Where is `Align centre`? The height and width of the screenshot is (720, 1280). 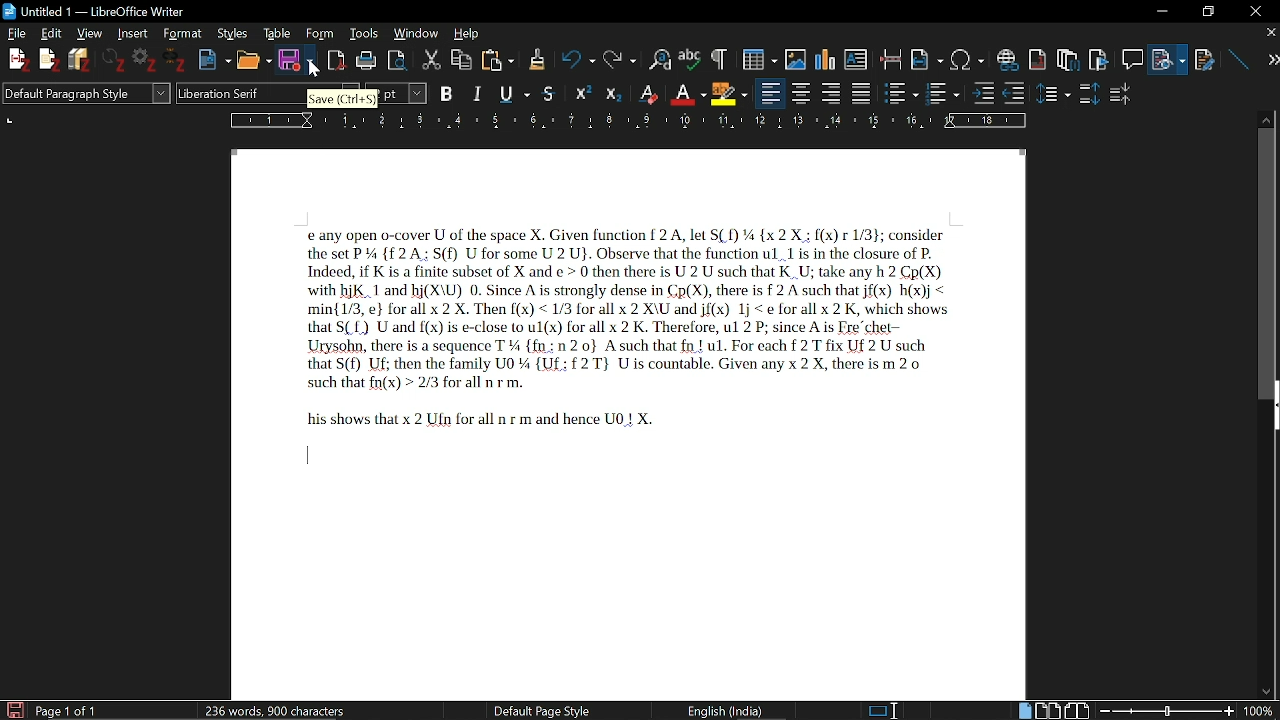 Align centre is located at coordinates (803, 92).